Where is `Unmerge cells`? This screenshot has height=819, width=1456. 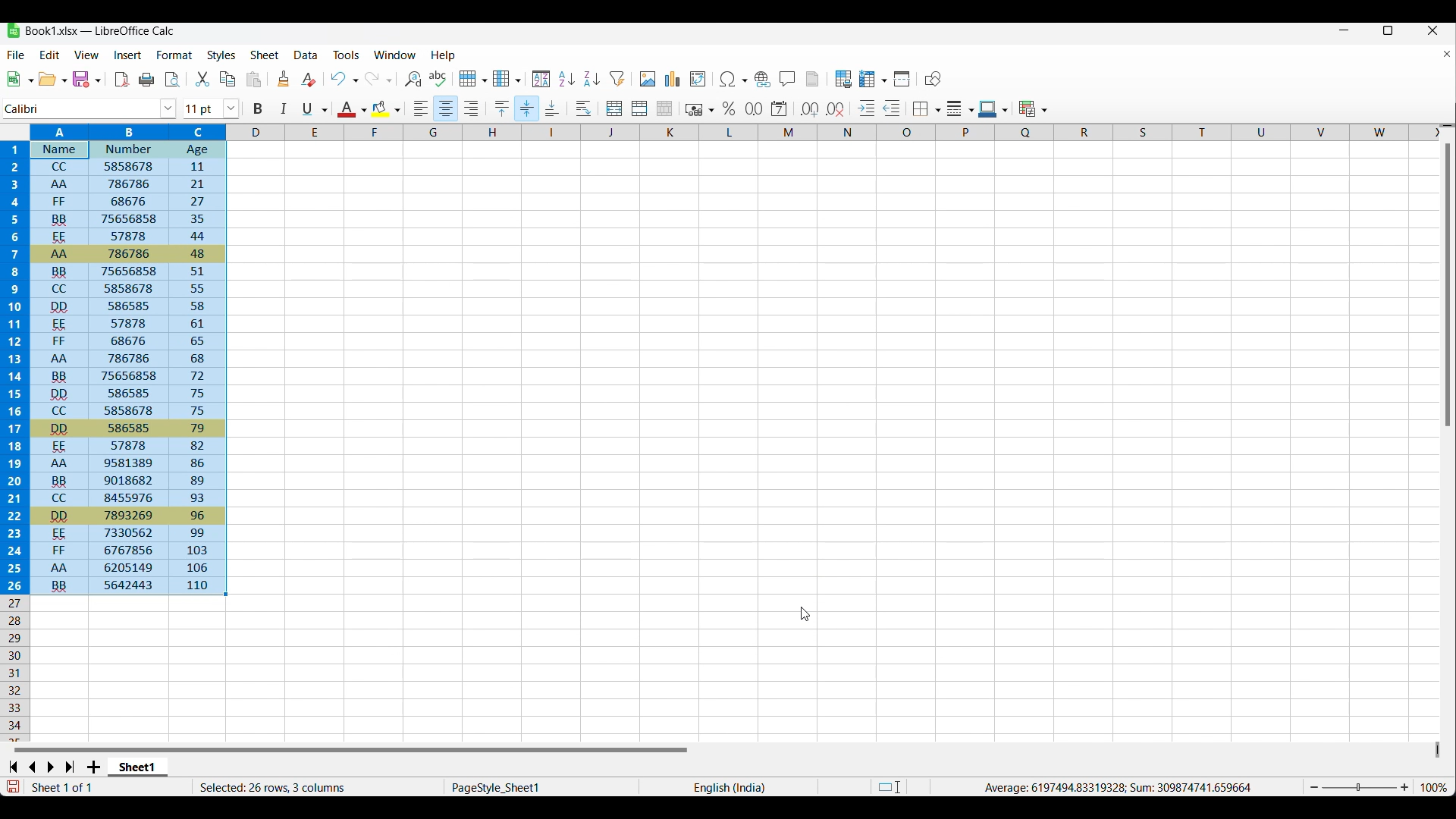 Unmerge cells is located at coordinates (665, 108).